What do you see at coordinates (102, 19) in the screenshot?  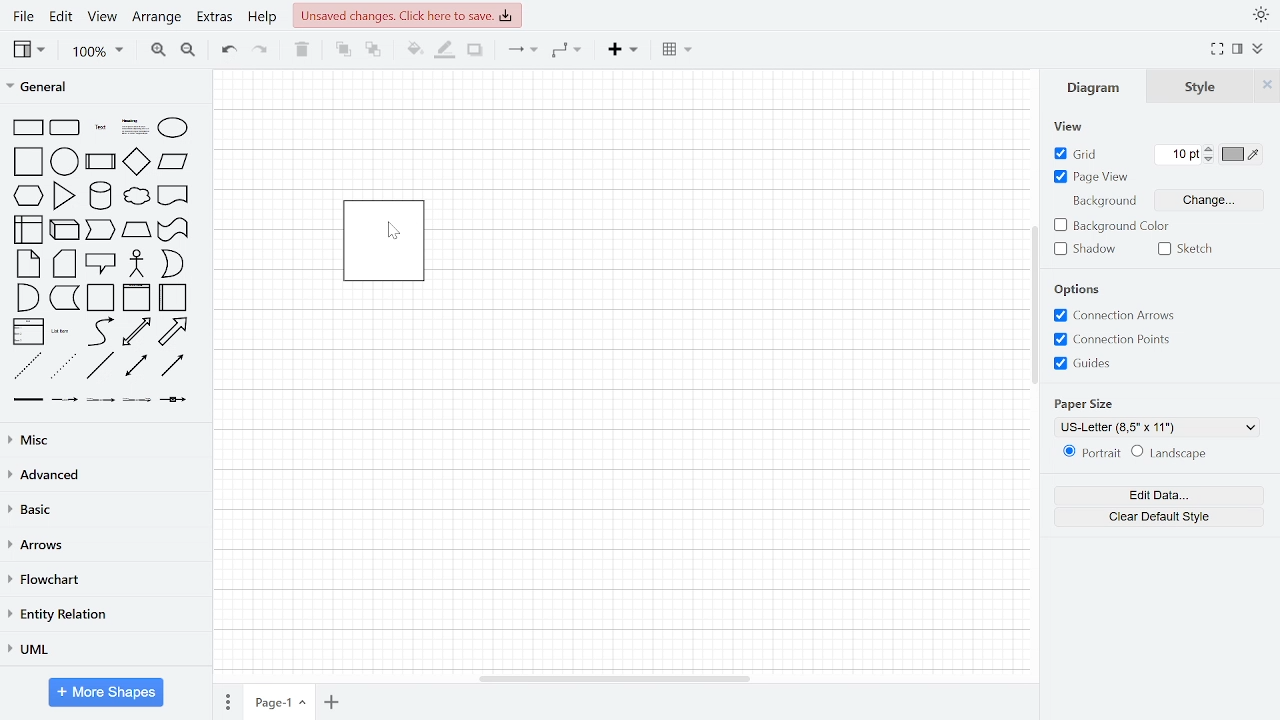 I see `view` at bounding box center [102, 19].